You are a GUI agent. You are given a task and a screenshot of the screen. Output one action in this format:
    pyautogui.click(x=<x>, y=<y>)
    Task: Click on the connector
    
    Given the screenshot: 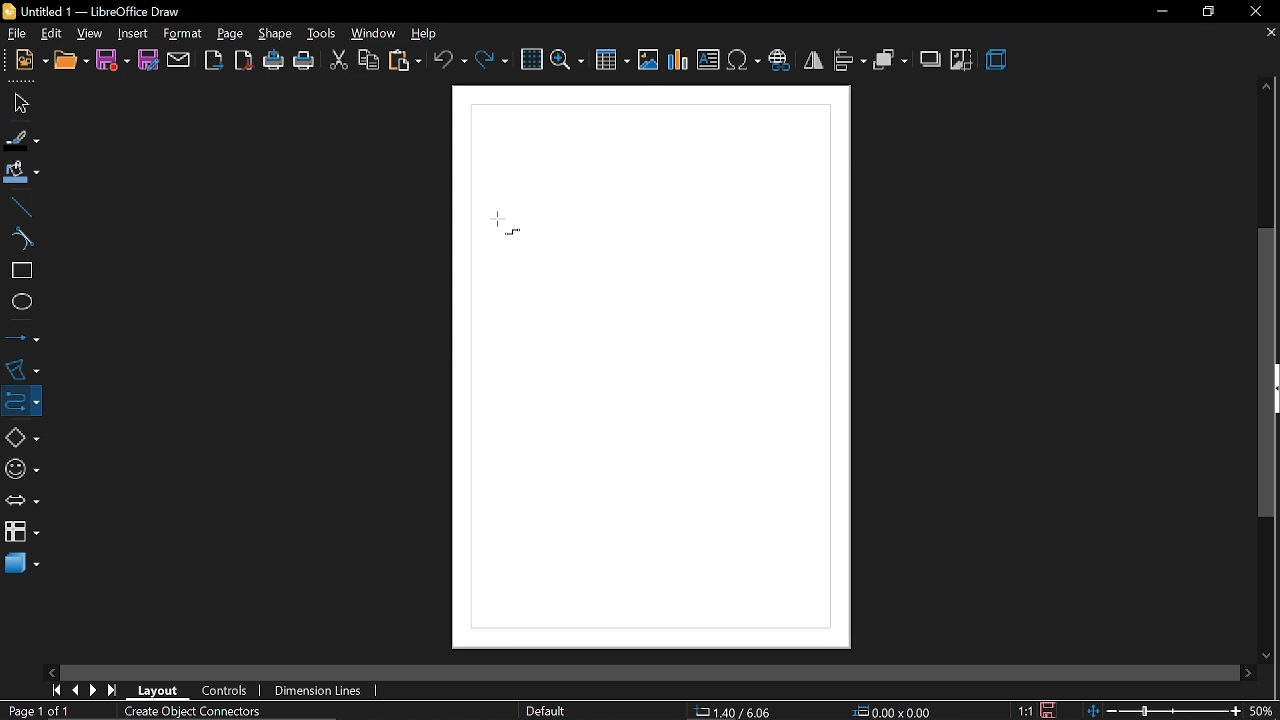 What is the action you would take?
    pyautogui.click(x=19, y=399)
    